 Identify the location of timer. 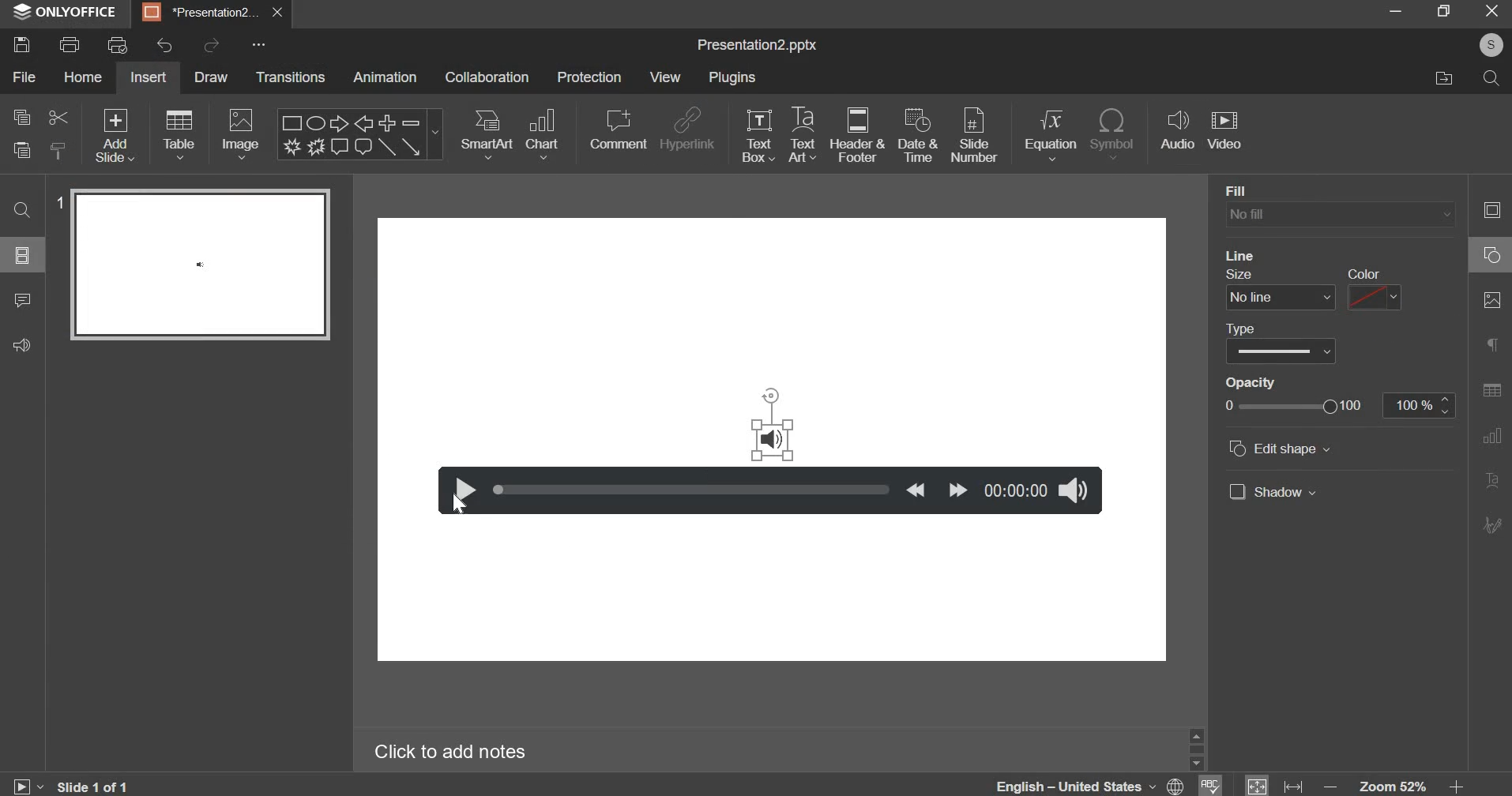
(1017, 490).